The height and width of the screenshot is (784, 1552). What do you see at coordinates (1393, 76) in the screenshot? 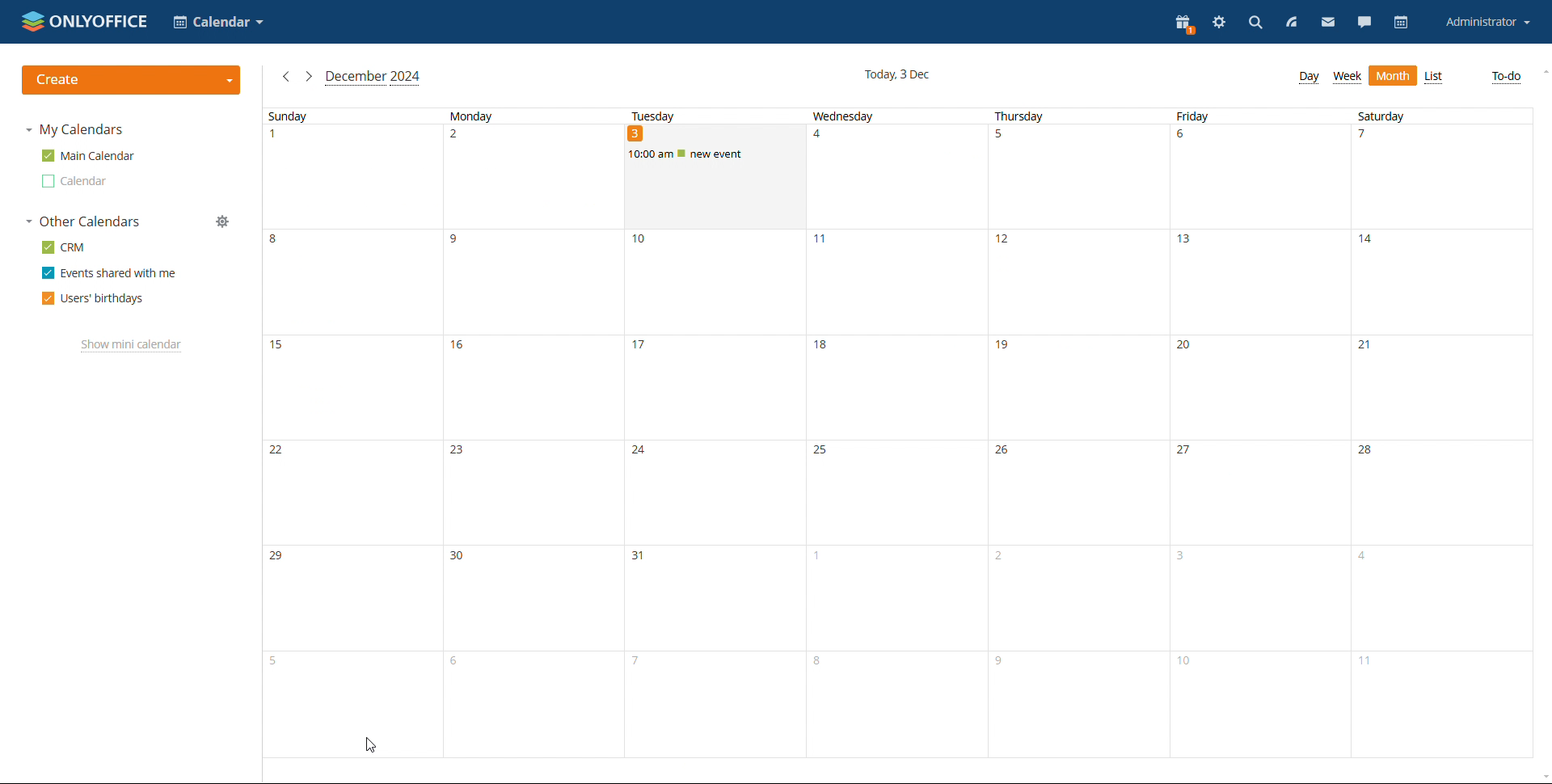
I see `month view` at bounding box center [1393, 76].